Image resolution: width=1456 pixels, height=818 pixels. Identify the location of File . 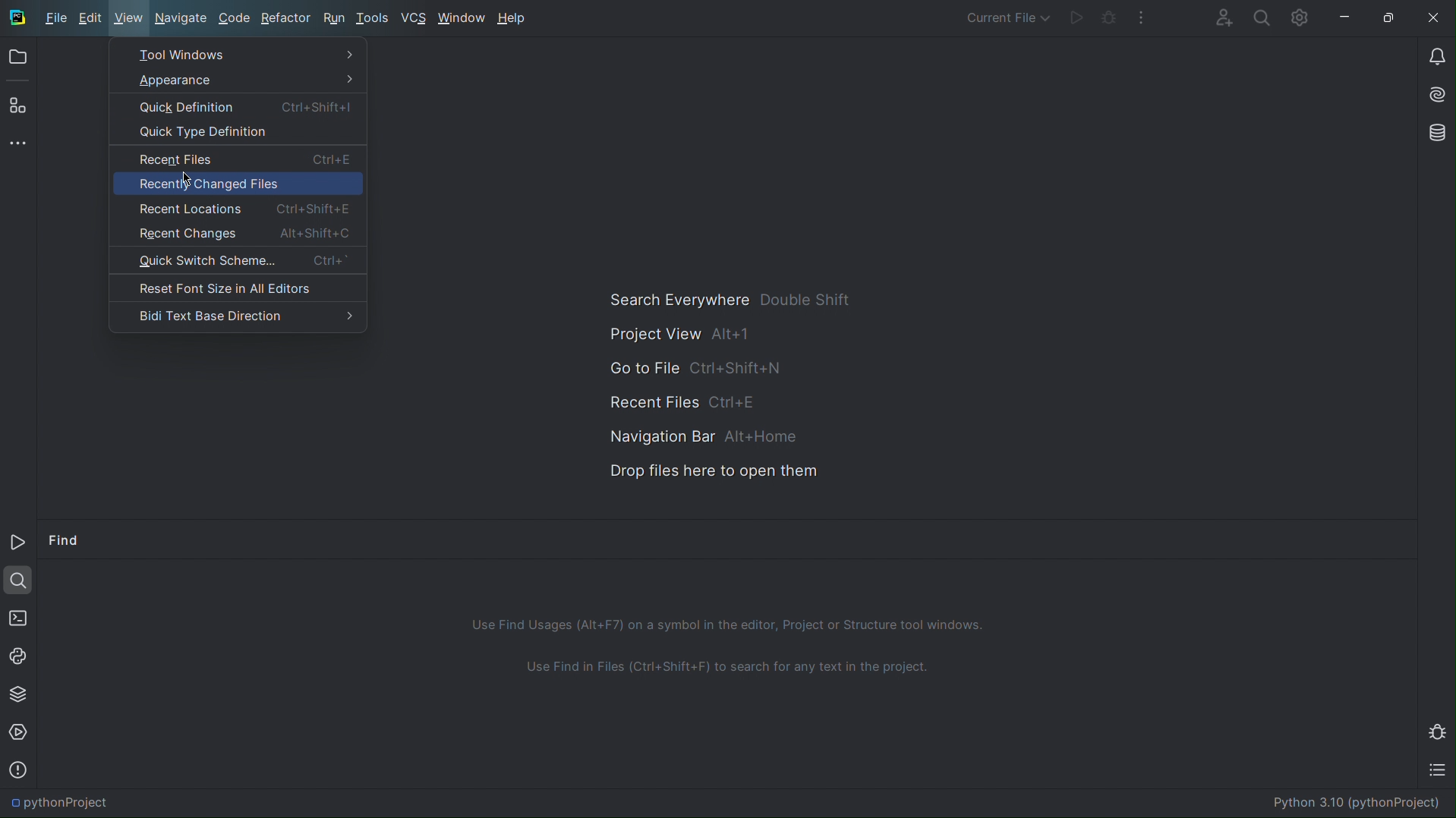
(54, 18).